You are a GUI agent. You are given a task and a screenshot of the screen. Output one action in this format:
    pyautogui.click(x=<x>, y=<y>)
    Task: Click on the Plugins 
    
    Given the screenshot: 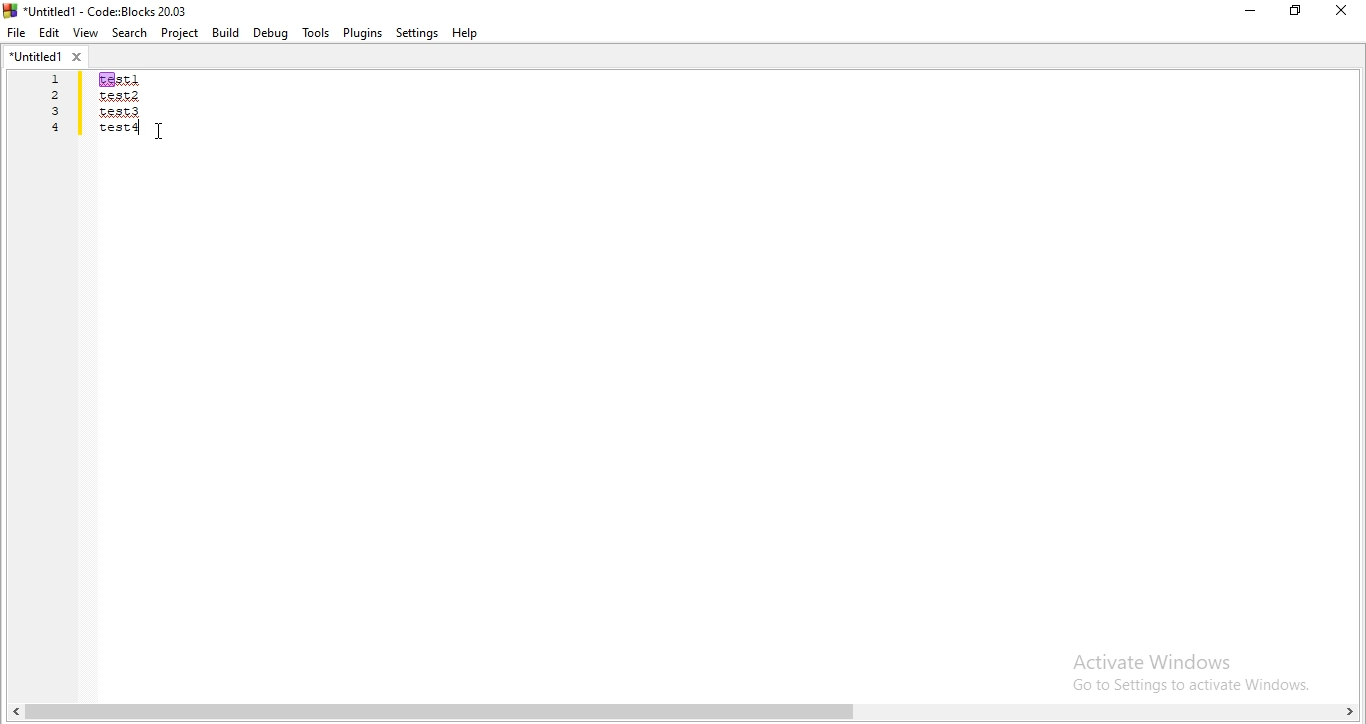 What is the action you would take?
    pyautogui.click(x=362, y=32)
    